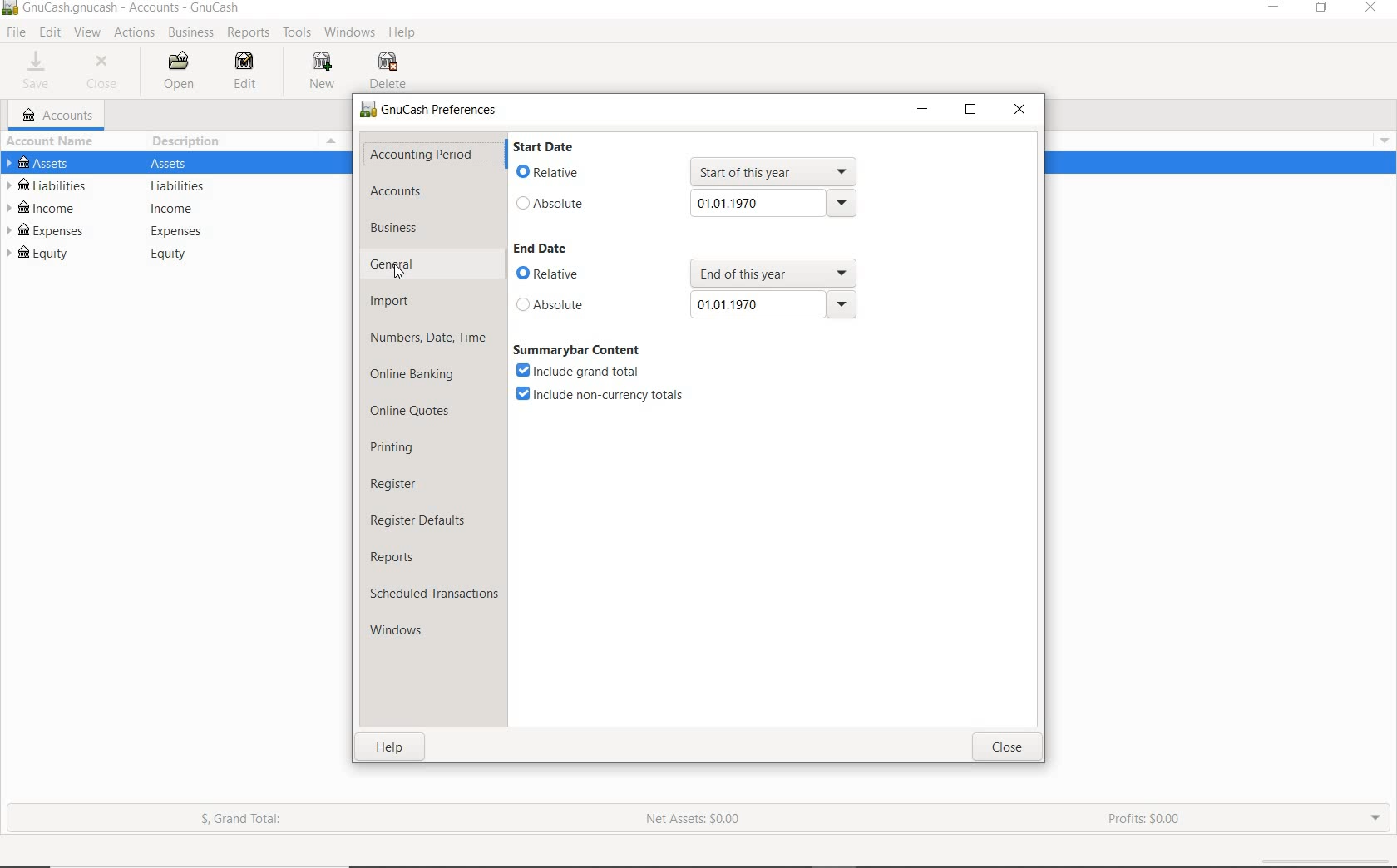  Describe the element at coordinates (185, 144) in the screenshot. I see `DESCRIPTION` at that location.